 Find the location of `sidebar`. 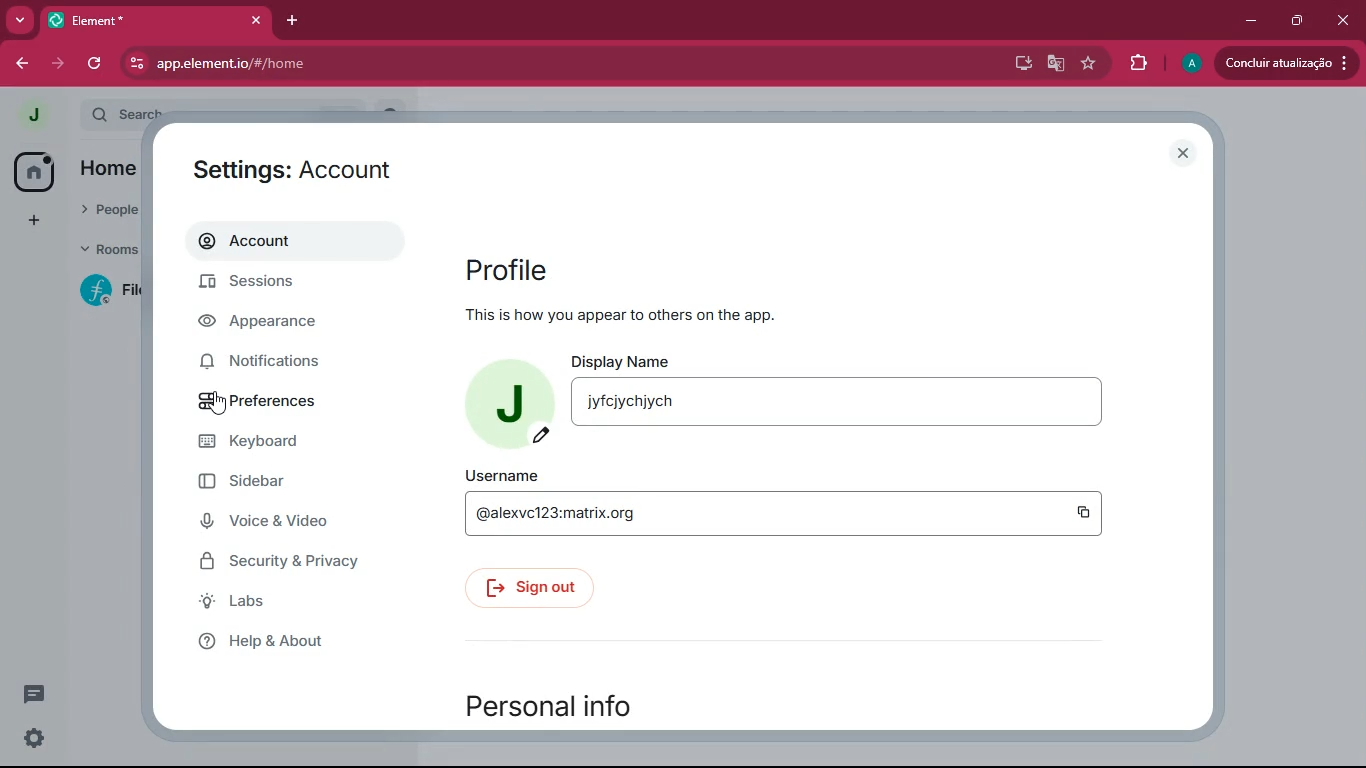

sidebar is located at coordinates (284, 485).